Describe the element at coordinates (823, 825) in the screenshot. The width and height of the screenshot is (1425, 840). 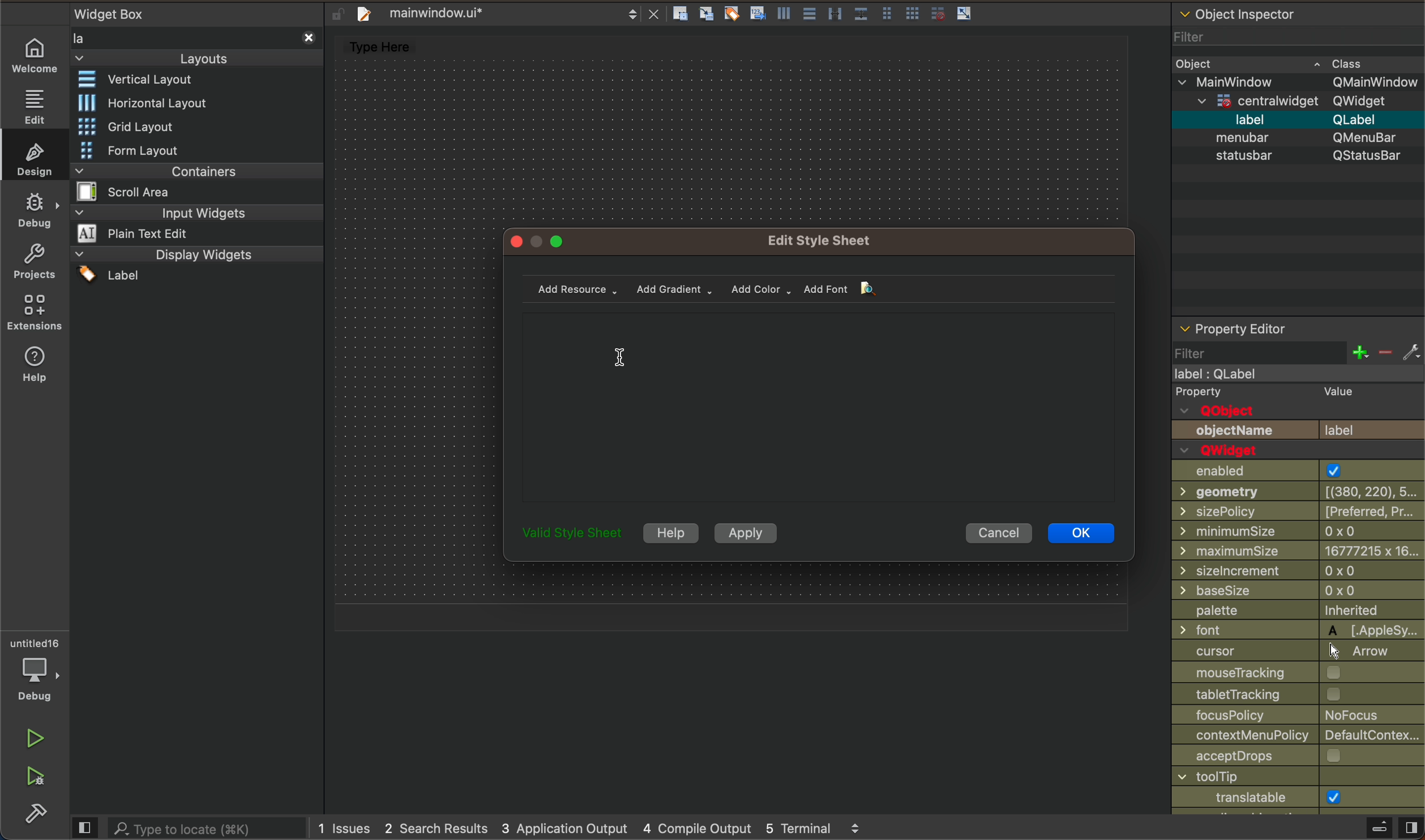
I see `5 terminal` at that location.